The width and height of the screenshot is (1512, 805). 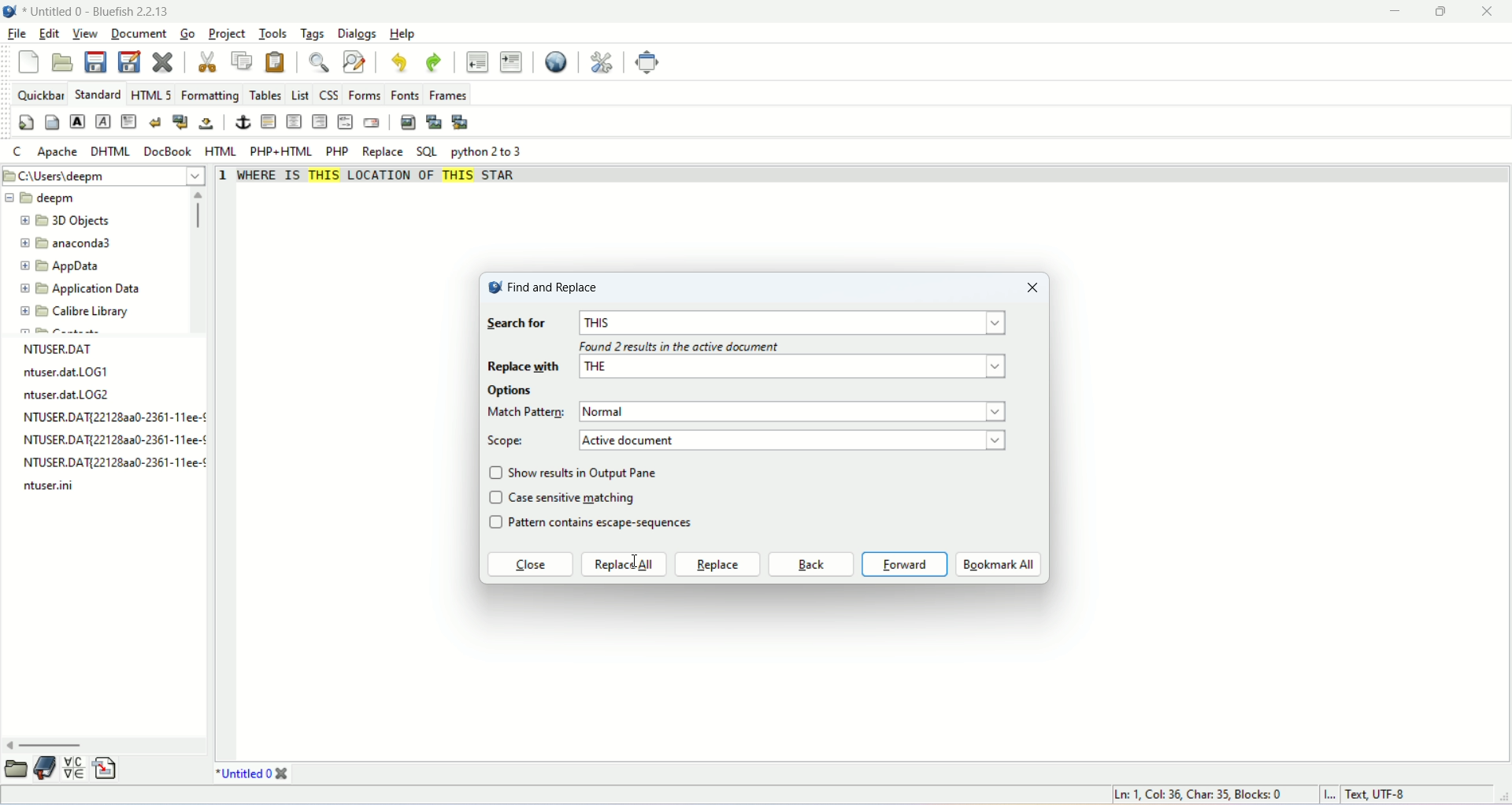 I want to click on find and replace, so click(x=554, y=287).